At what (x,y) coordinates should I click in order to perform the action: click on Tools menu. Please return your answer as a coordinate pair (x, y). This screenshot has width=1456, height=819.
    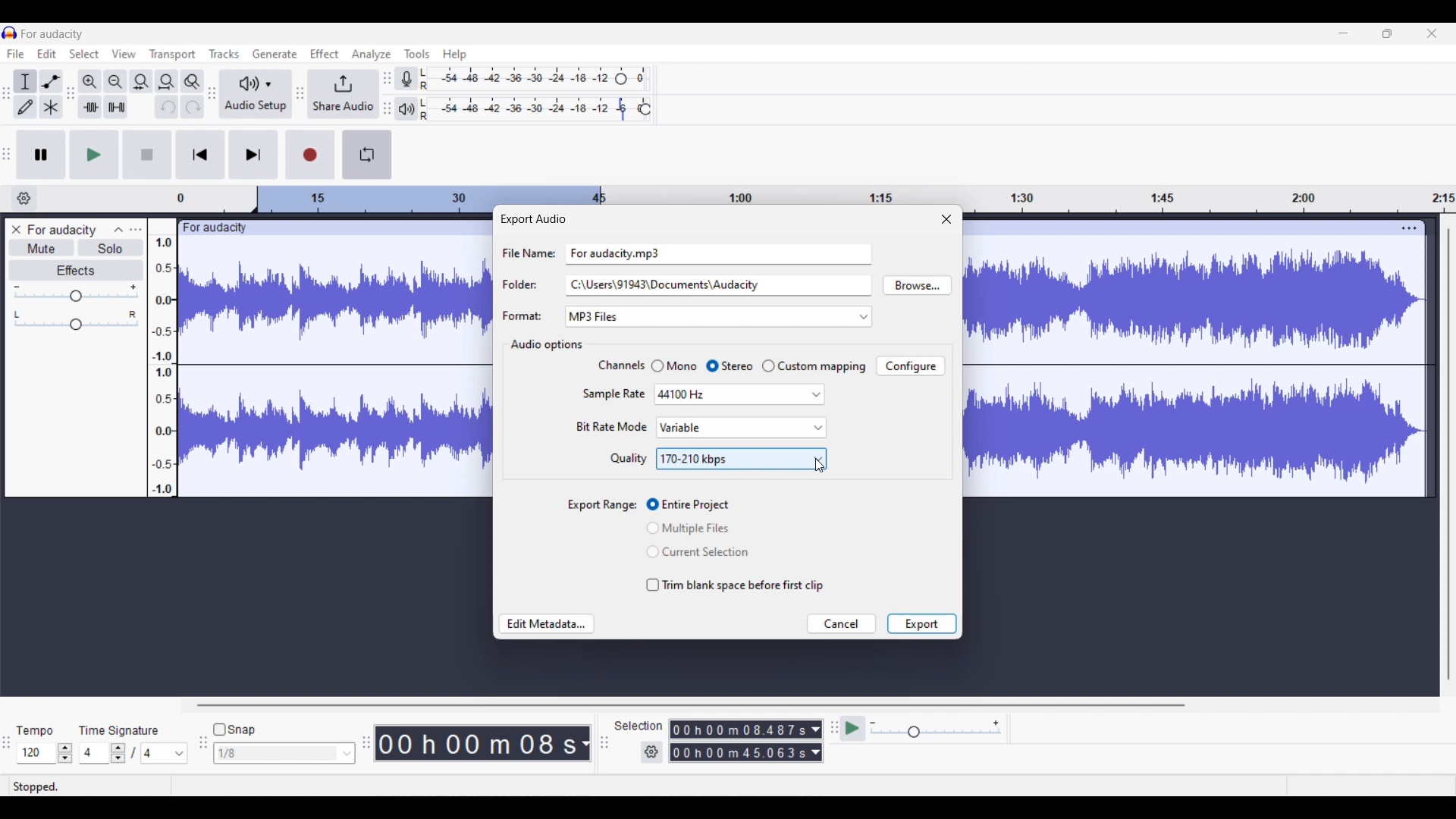
    Looking at the image, I should click on (417, 54).